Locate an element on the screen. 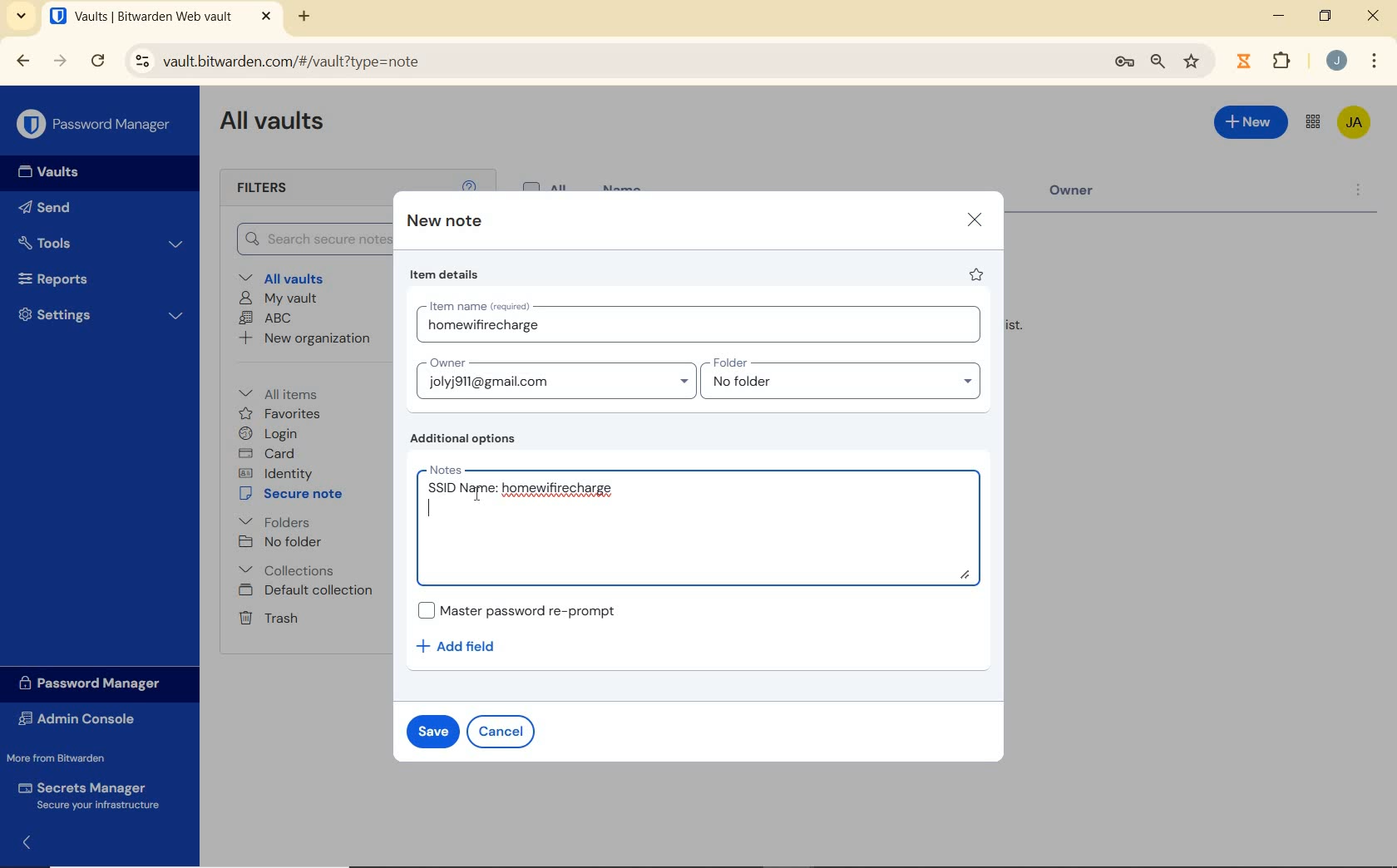 Image resolution: width=1397 pixels, height=868 pixels. forward is located at coordinates (60, 61).